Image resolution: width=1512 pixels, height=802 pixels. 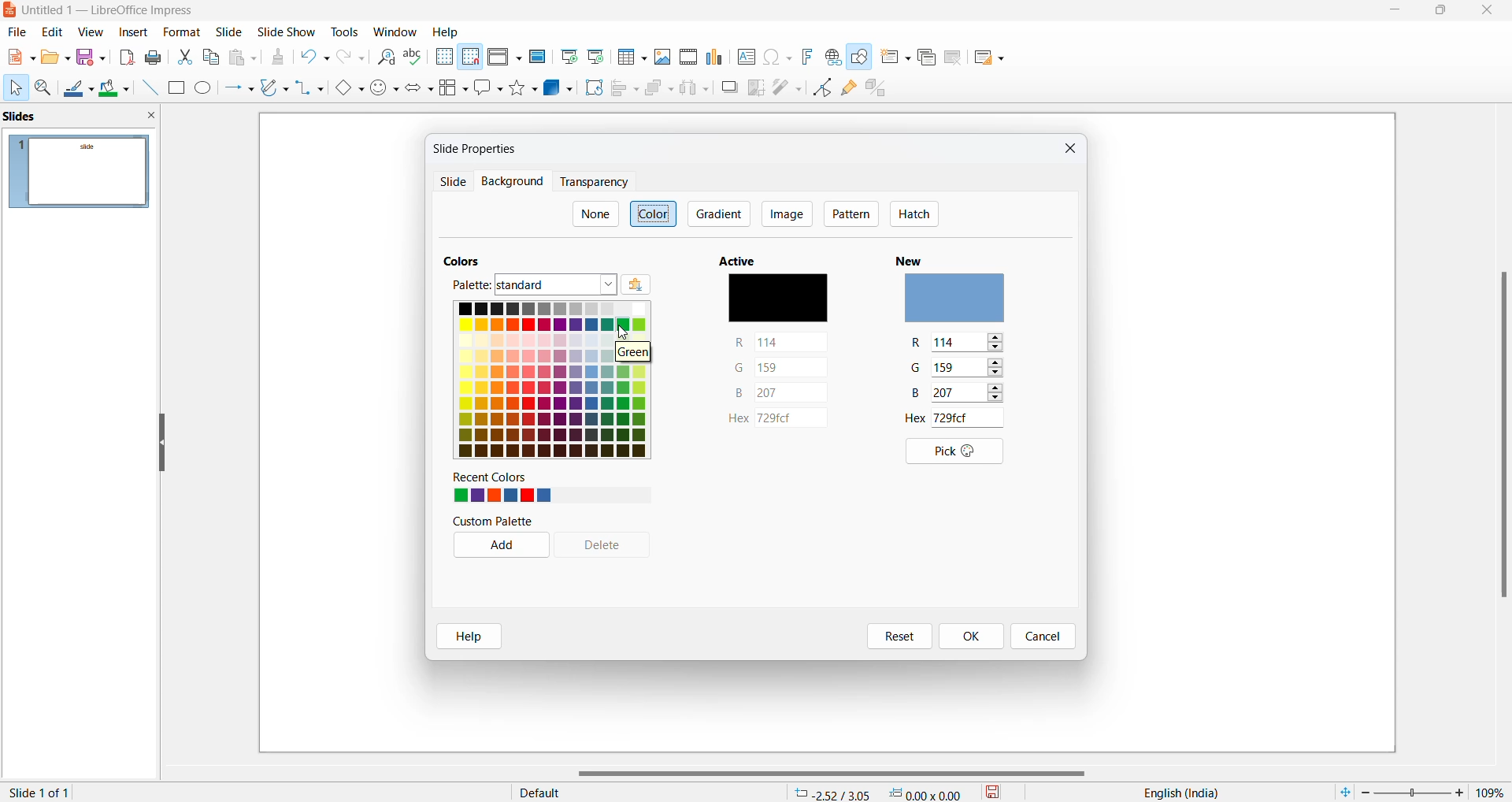 I want to click on redo , so click(x=351, y=60).